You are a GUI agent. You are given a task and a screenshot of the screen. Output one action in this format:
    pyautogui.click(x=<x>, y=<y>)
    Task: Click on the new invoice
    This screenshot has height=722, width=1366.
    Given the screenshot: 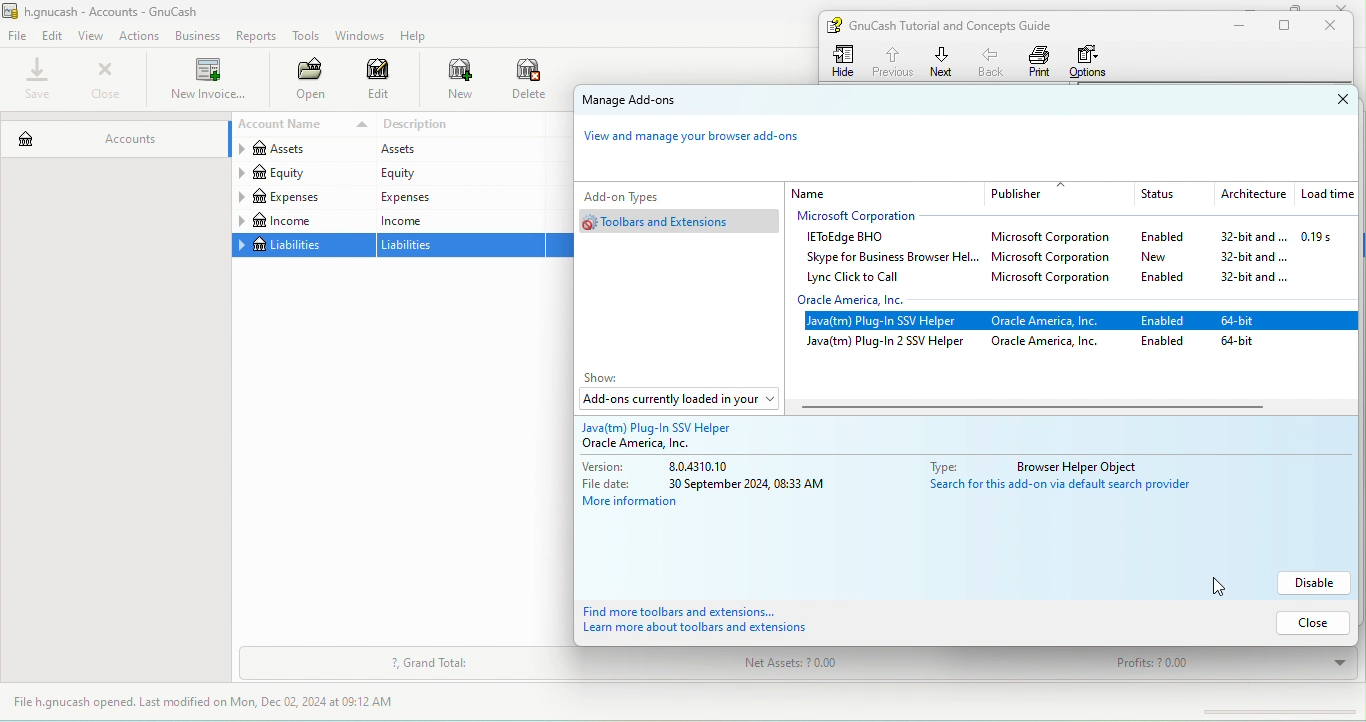 What is the action you would take?
    pyautogui.click(x=206, y=81)
    